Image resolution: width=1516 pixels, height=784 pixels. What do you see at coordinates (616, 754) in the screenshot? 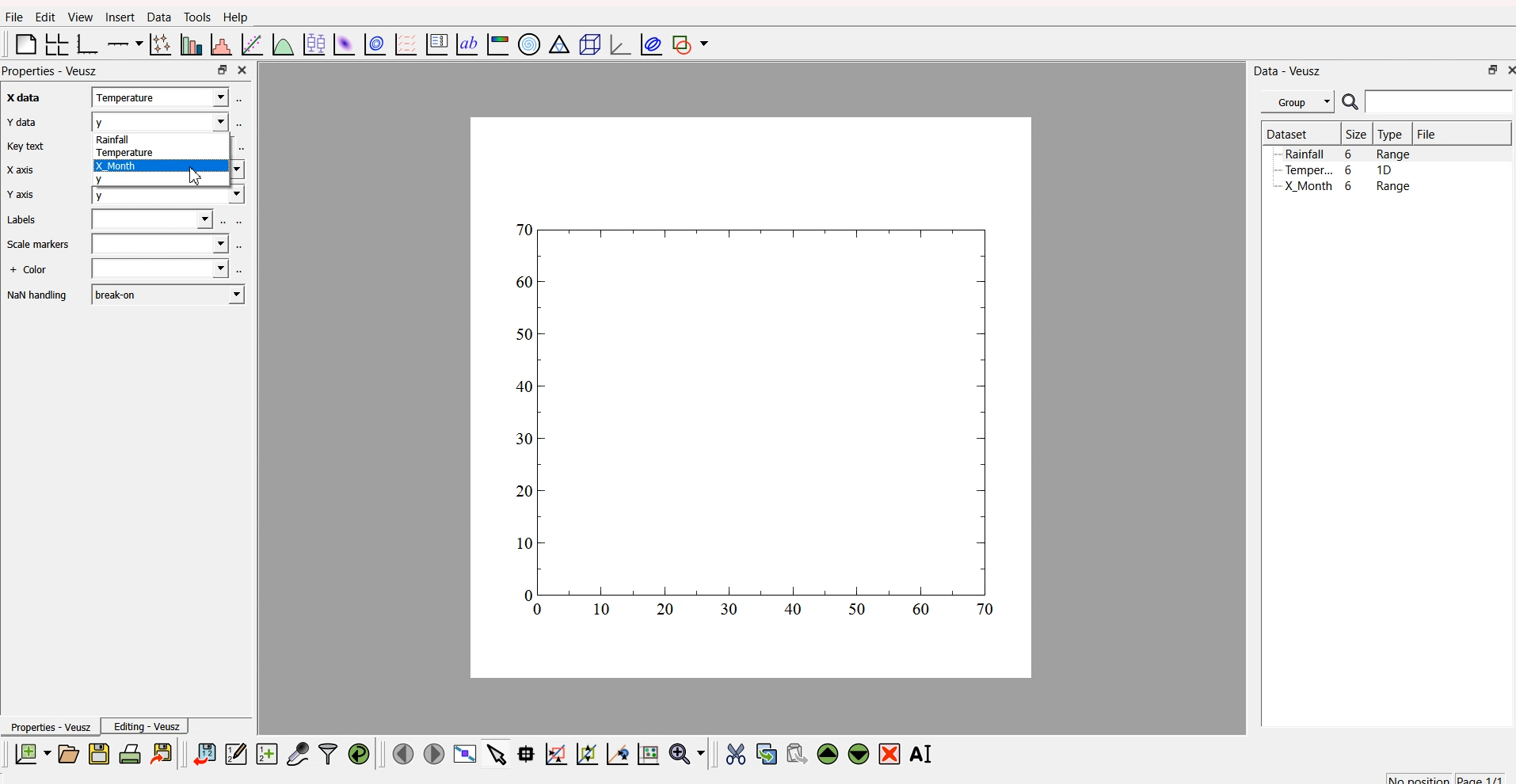
I see `zoom out graph axes` at bounding box center [616, 754].